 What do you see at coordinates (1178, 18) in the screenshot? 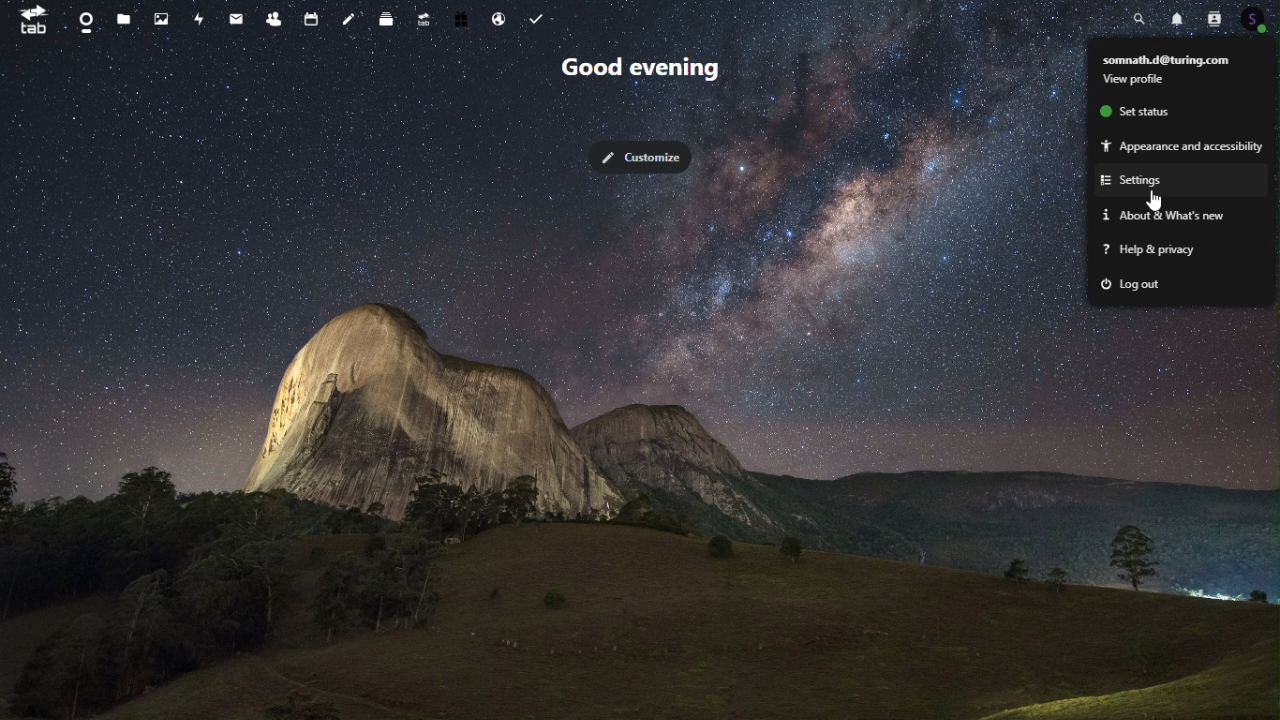
I see `notification` at bounding box center [1178, 18].